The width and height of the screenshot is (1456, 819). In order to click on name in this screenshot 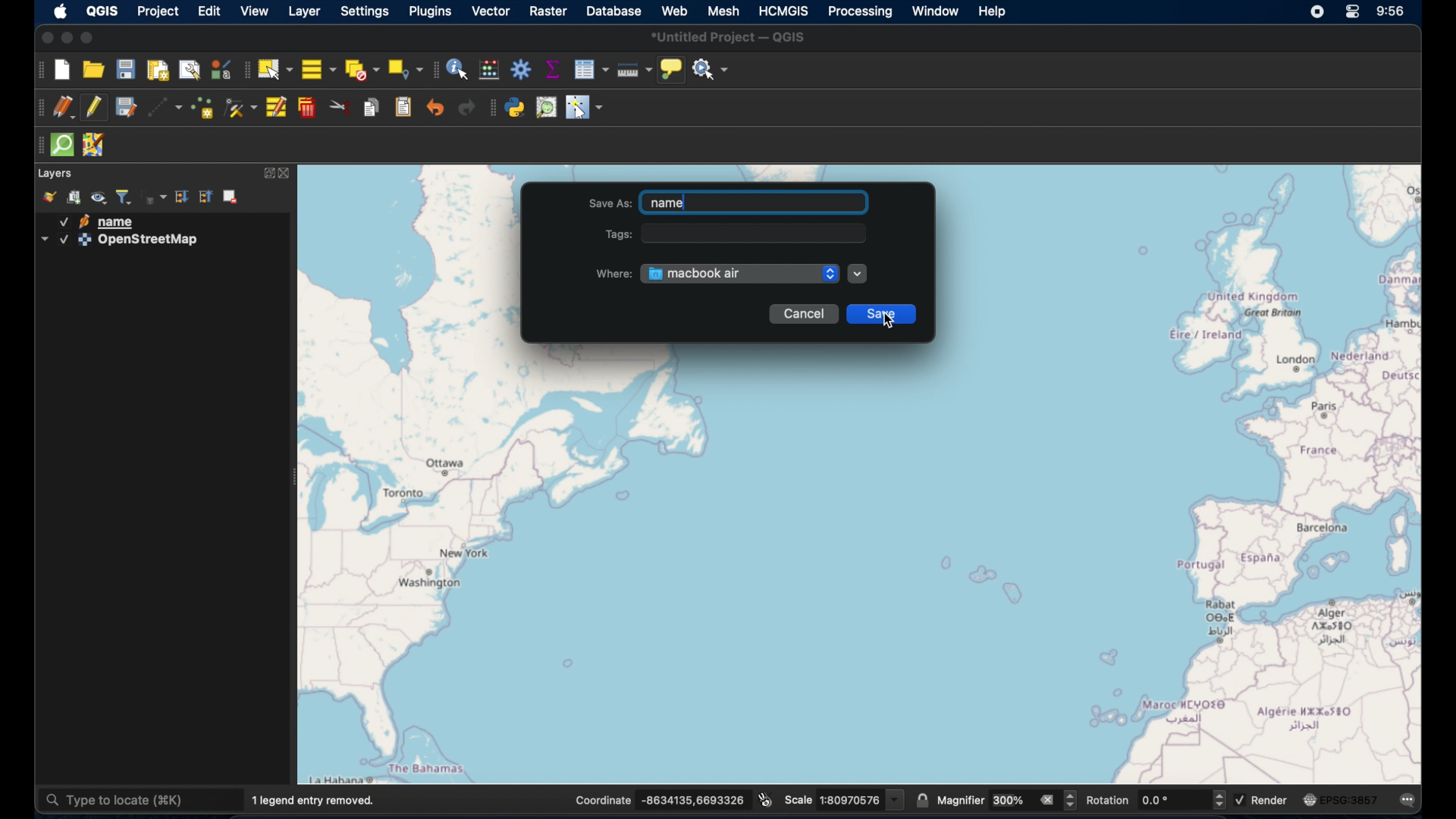, I will do `click(103, 221)`.